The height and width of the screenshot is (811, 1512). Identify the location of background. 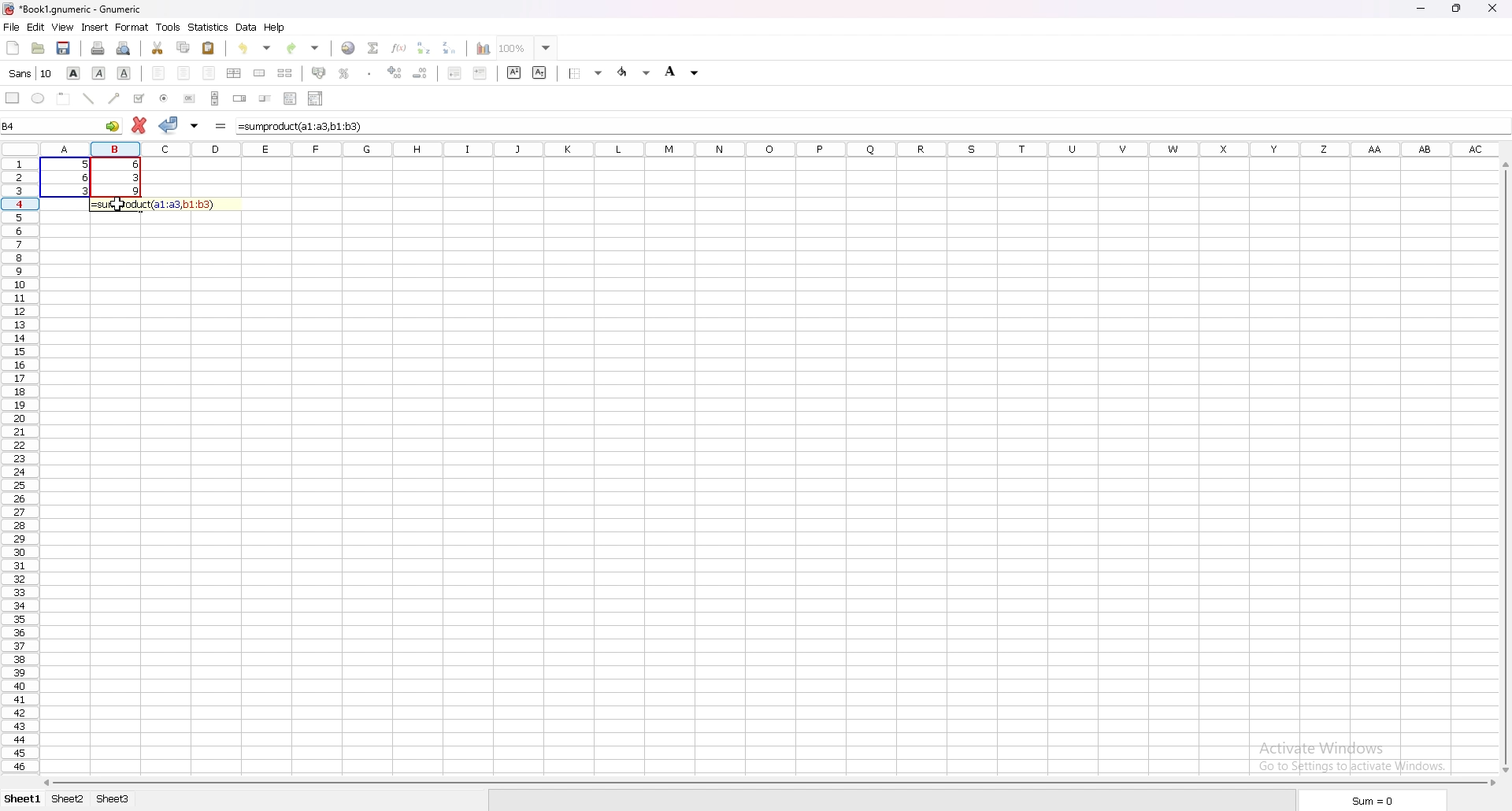
(635, 72).